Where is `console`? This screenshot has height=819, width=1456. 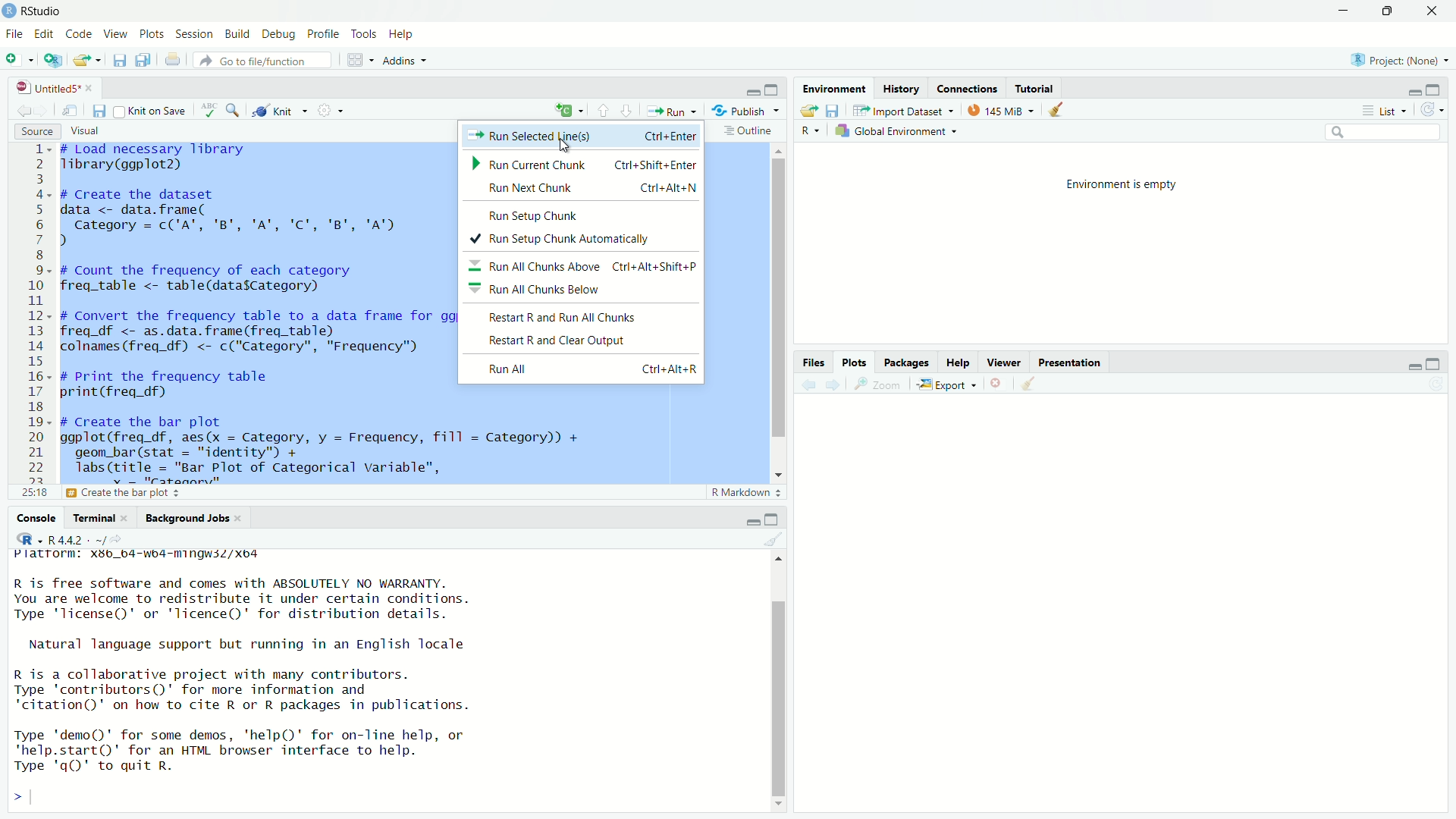 console is located at coordinates (30, 519).